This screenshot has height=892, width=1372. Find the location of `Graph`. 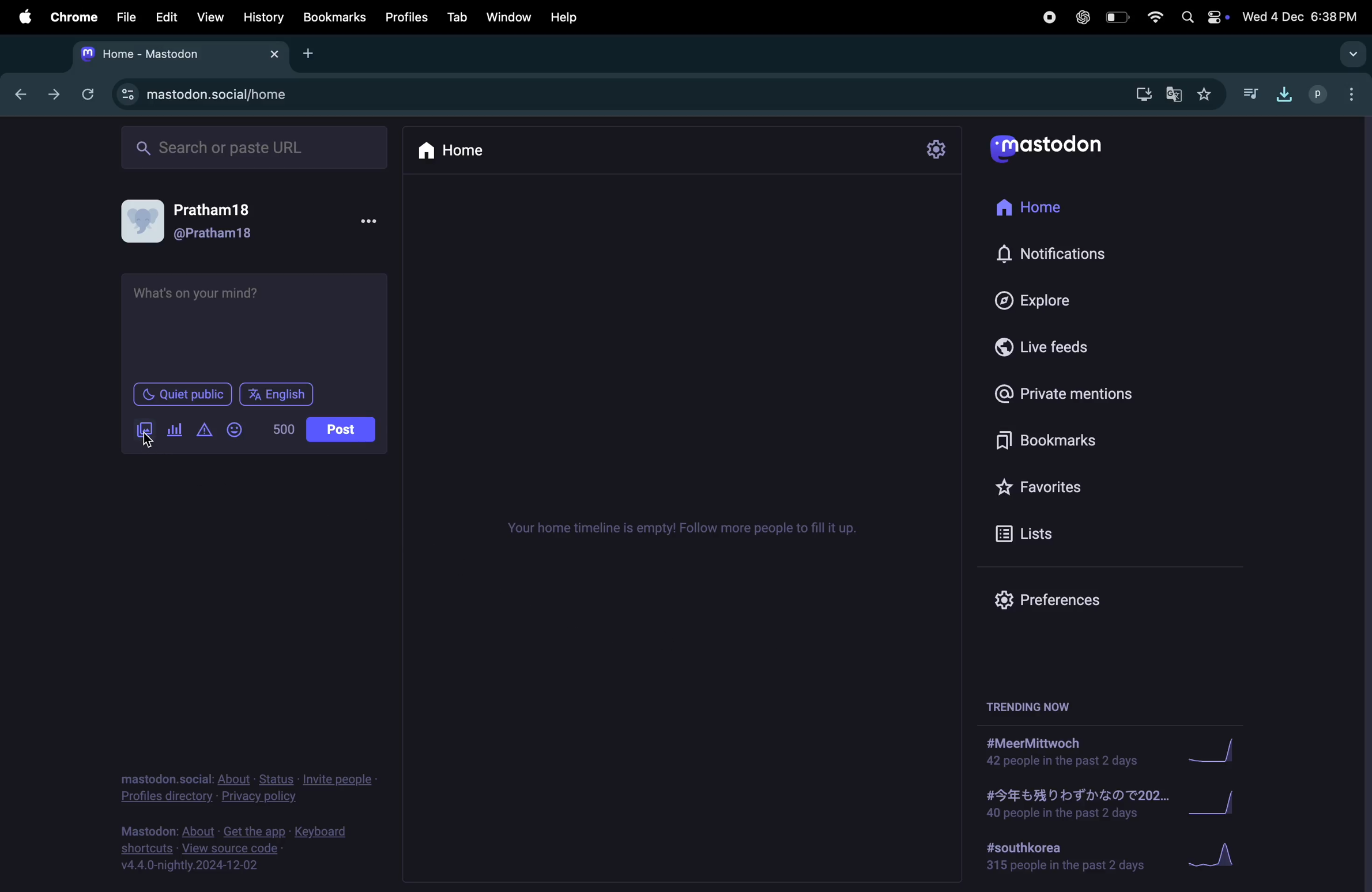

Graph is located at coordinates (1218, 857).